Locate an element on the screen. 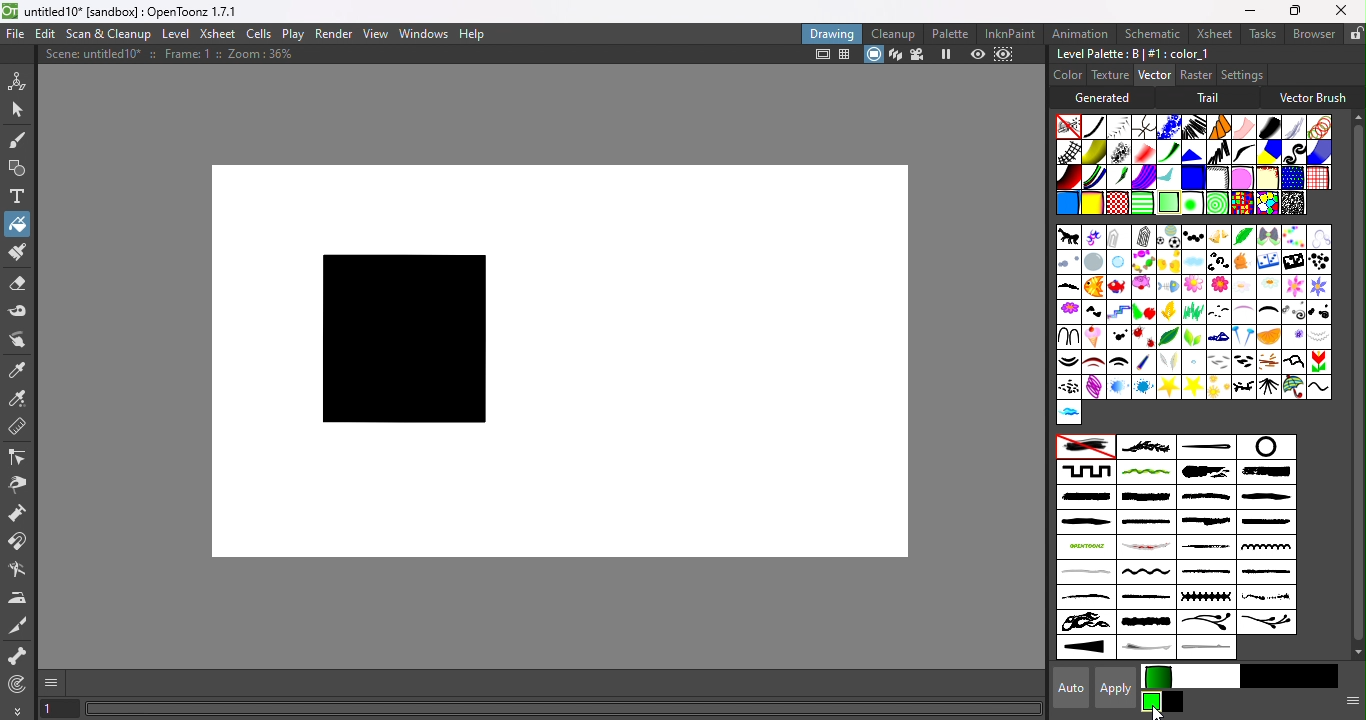 This screenshot has height=720, width=1366. stai is located at coordinates (1119, 387).